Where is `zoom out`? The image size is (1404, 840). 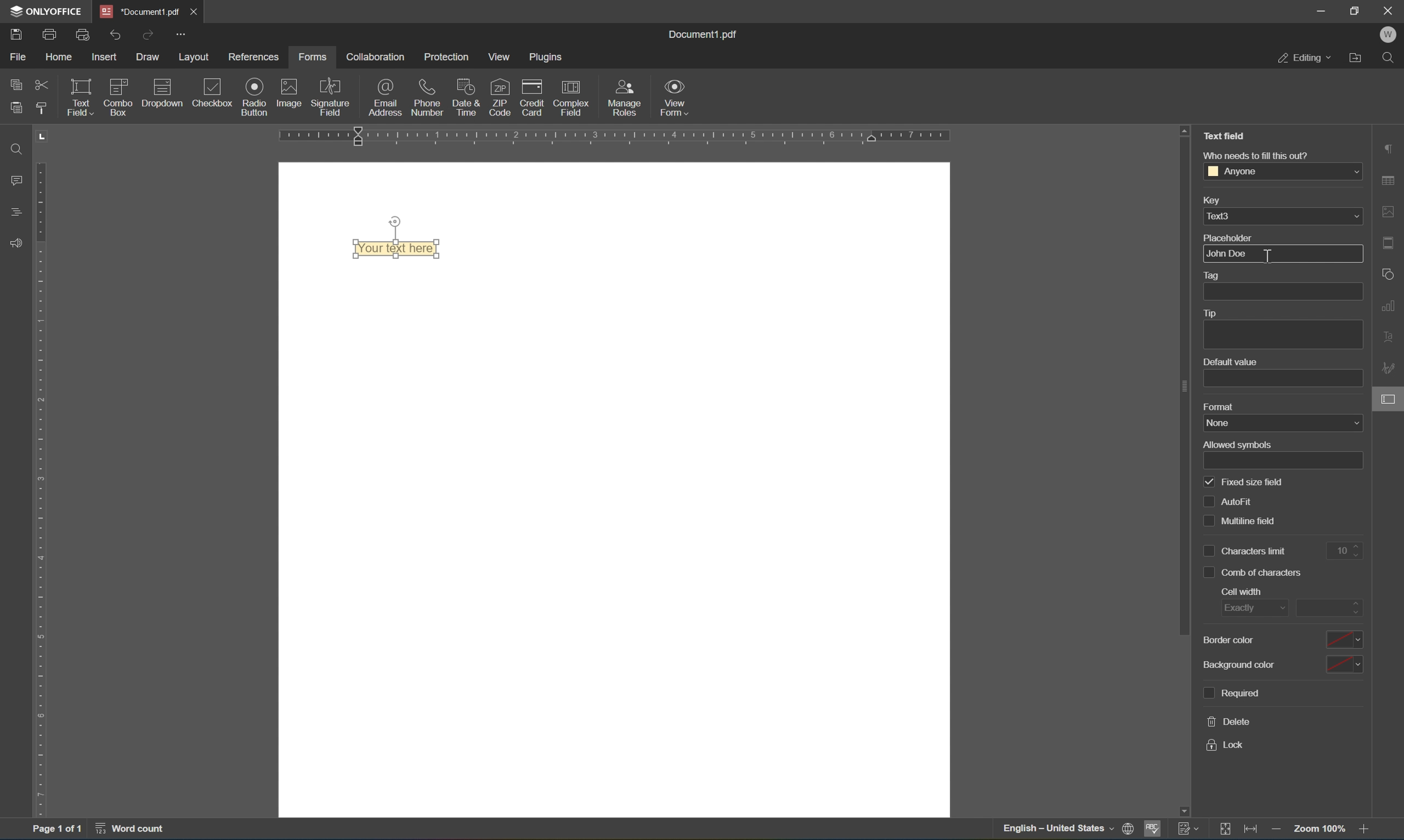 zoom out is located at coordinates (1277, 832).